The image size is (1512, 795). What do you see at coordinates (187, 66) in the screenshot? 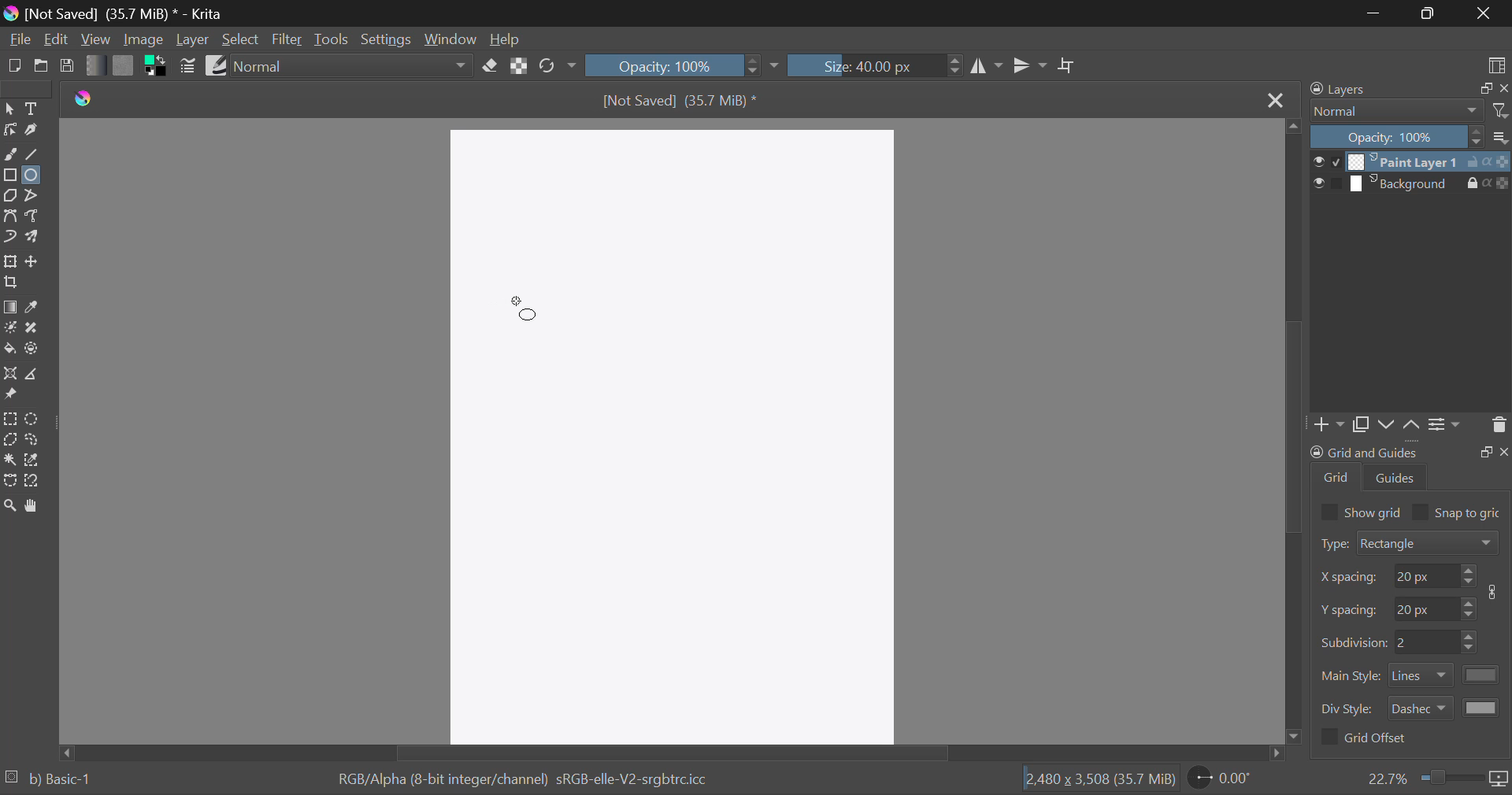
I see `Brush Settings` at bounding box center [187, 66].